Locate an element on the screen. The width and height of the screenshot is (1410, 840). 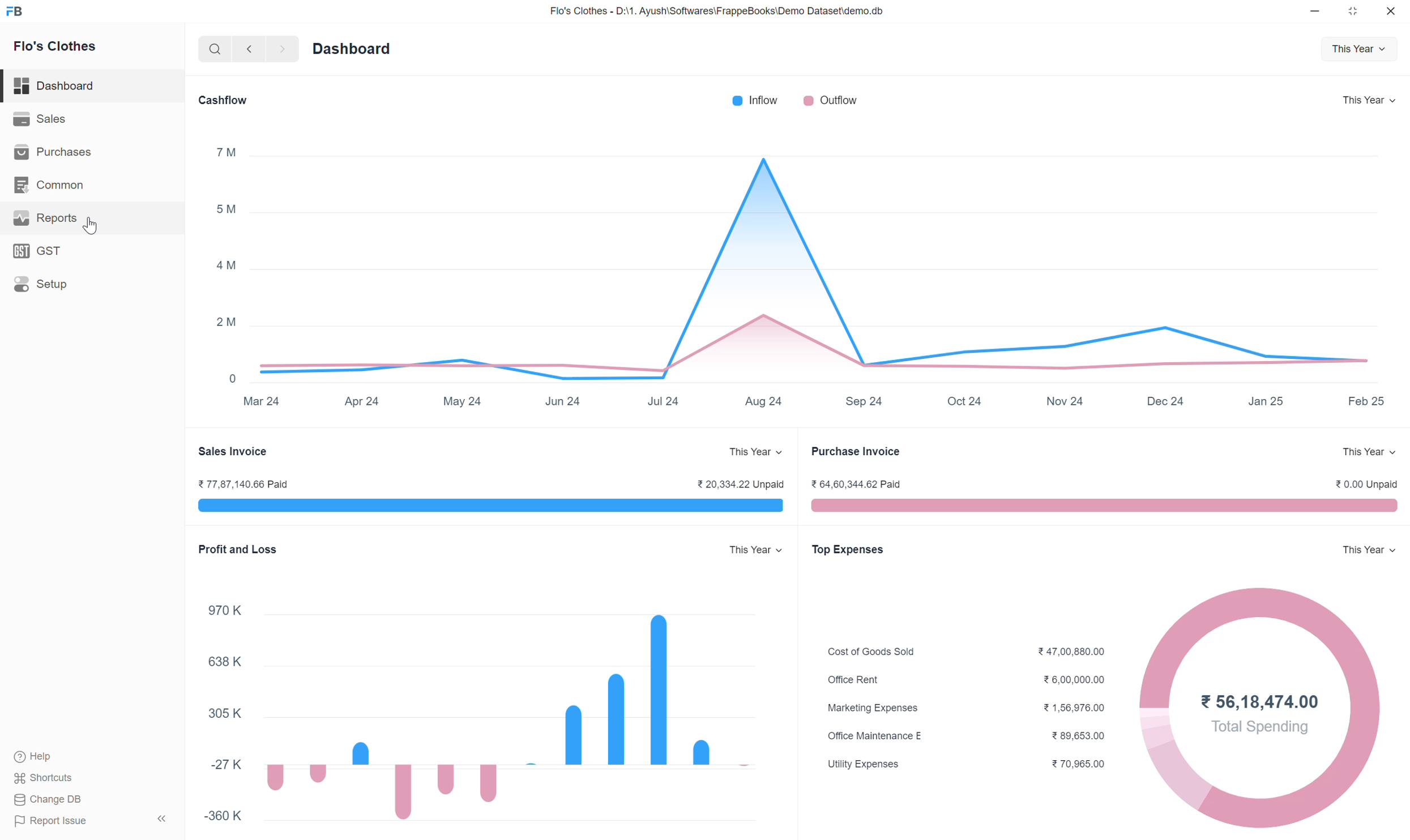
GST is located at coordinates (35, 250).